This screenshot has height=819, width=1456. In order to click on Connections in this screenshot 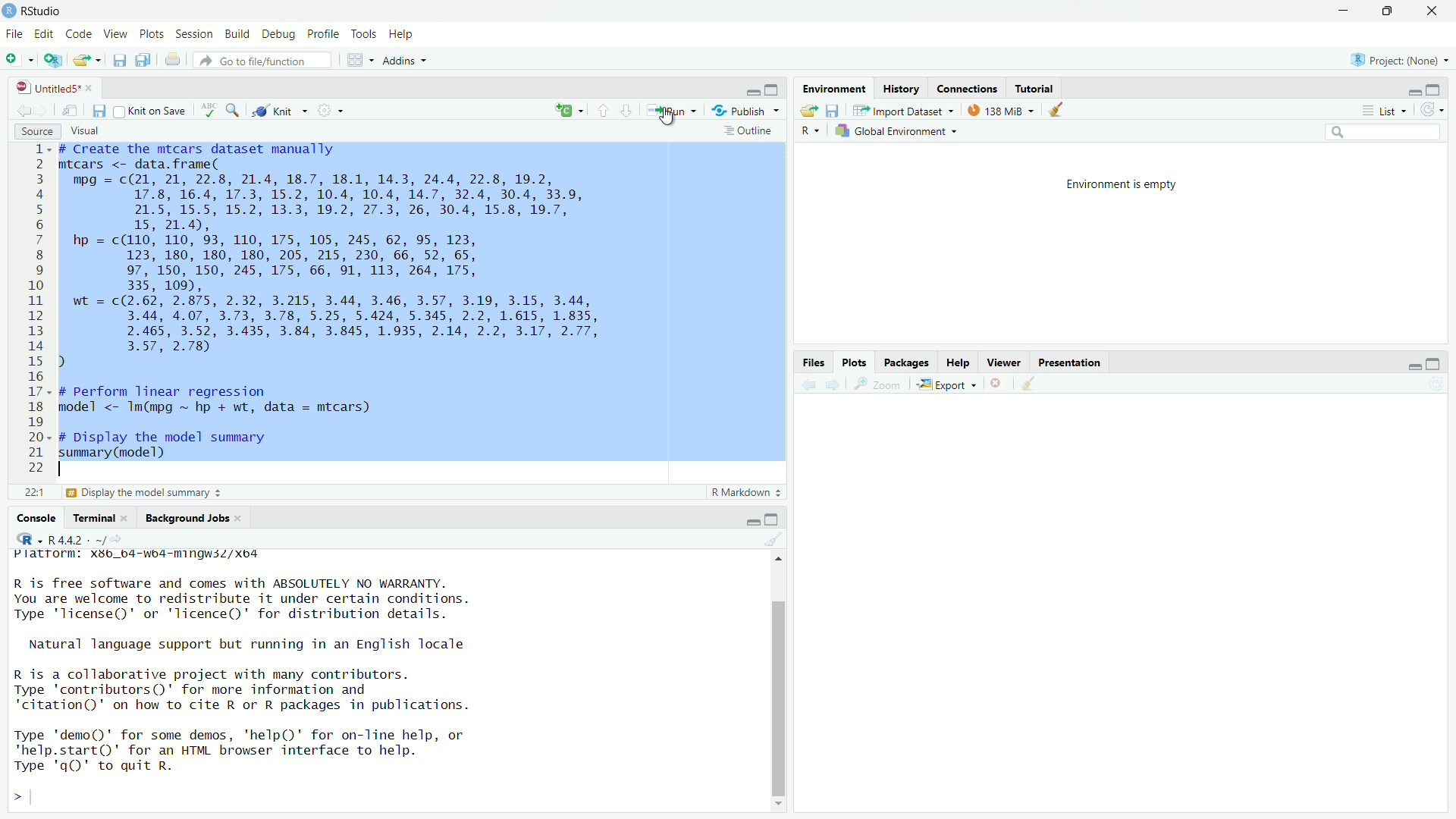, I will do `click(968, 89)`.